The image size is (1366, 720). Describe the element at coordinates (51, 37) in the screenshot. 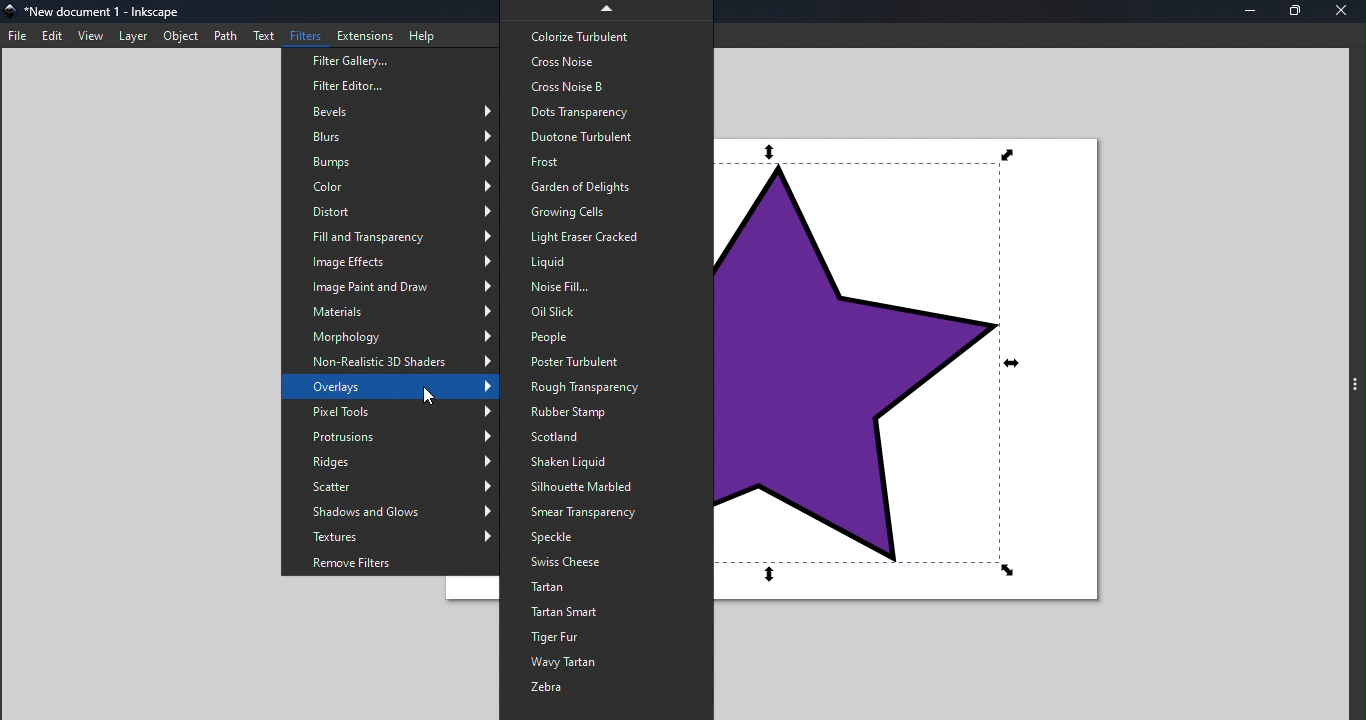

I see `Edit` at that location.